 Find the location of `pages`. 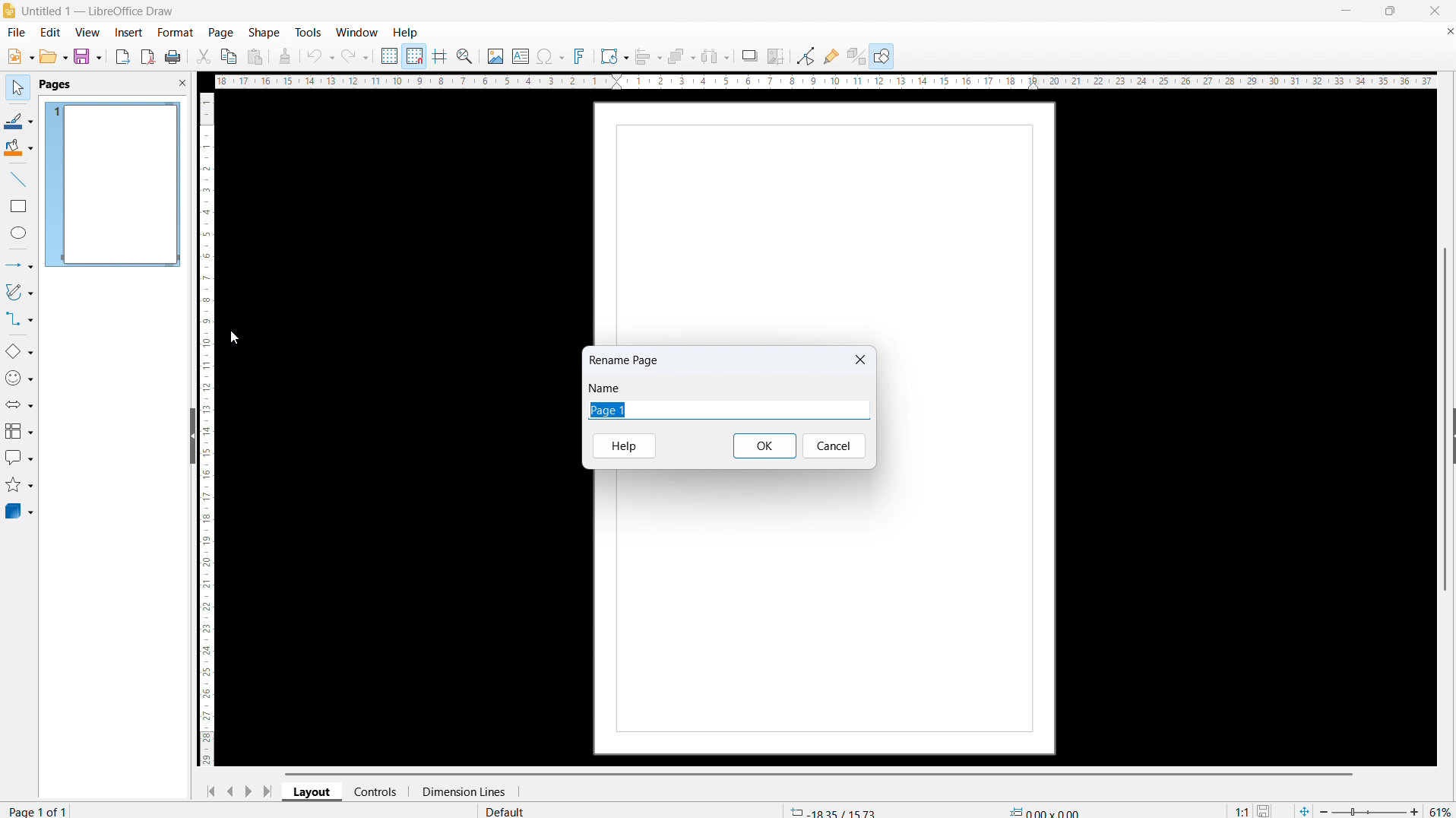

pages is located at coordinates (55, 85).